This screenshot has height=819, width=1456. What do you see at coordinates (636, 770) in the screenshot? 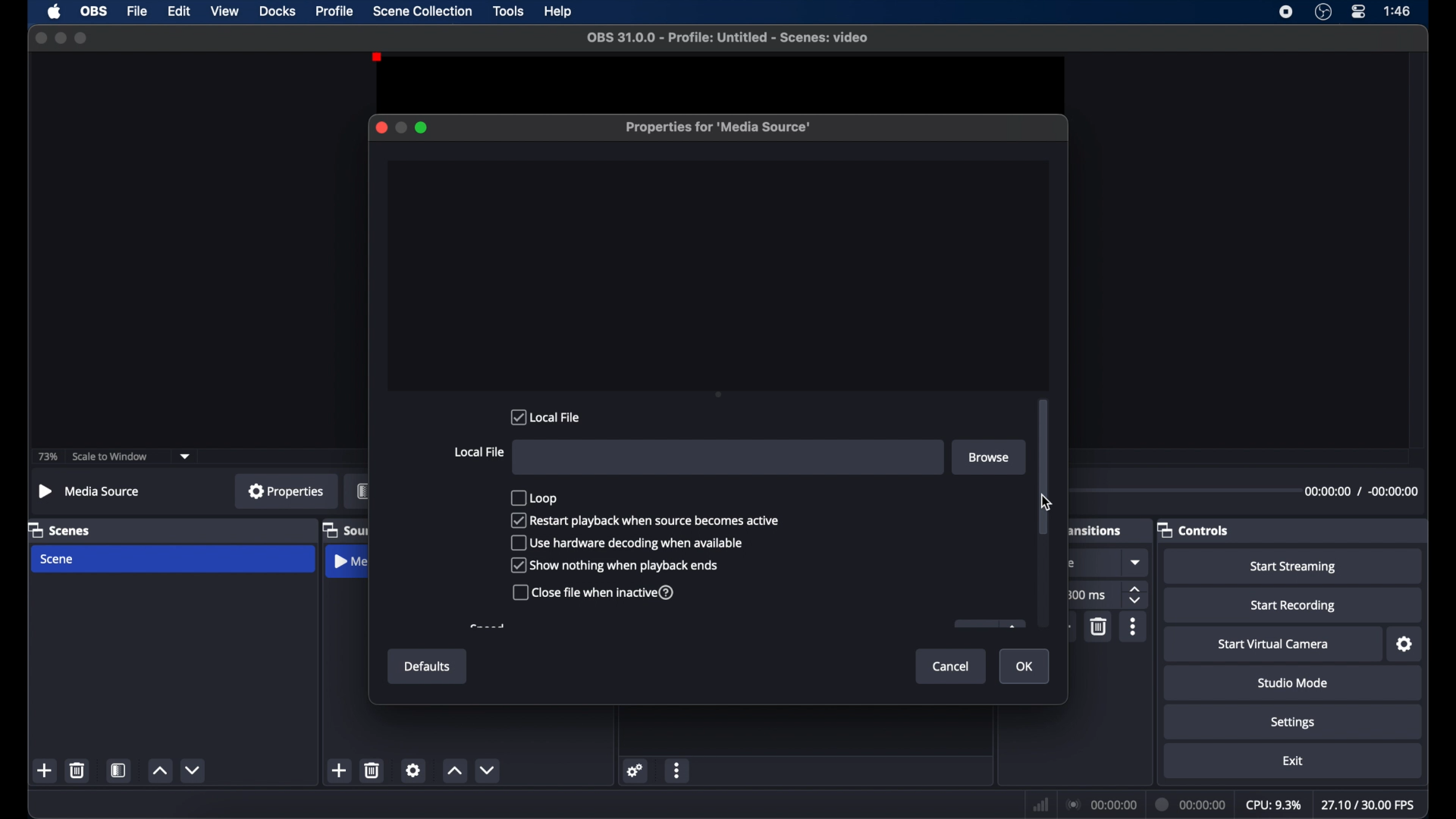
I see `settings` at bounding box center [636, 770].